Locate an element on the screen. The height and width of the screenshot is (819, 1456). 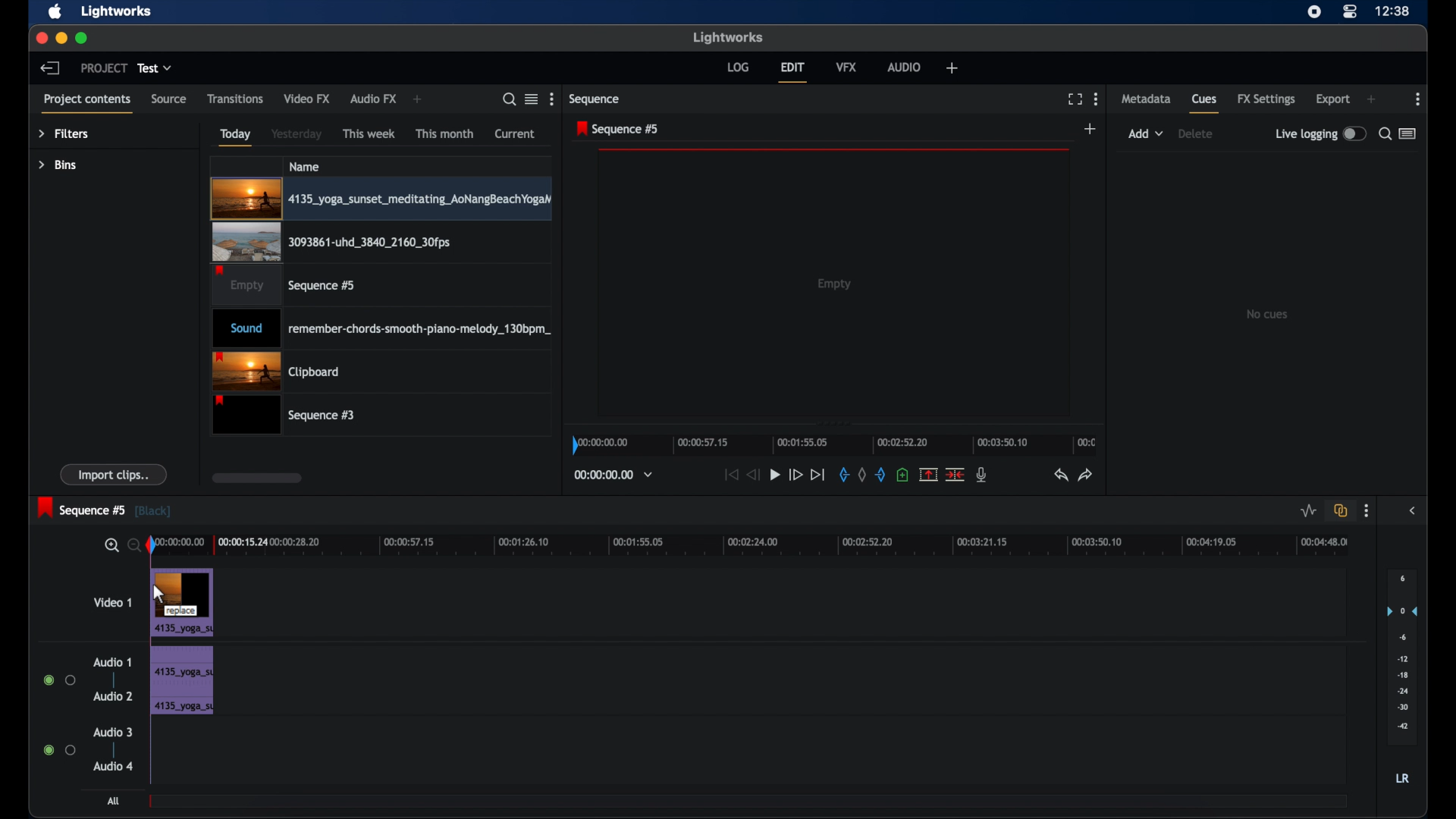
yesterday is located at coordinates (297, 133).